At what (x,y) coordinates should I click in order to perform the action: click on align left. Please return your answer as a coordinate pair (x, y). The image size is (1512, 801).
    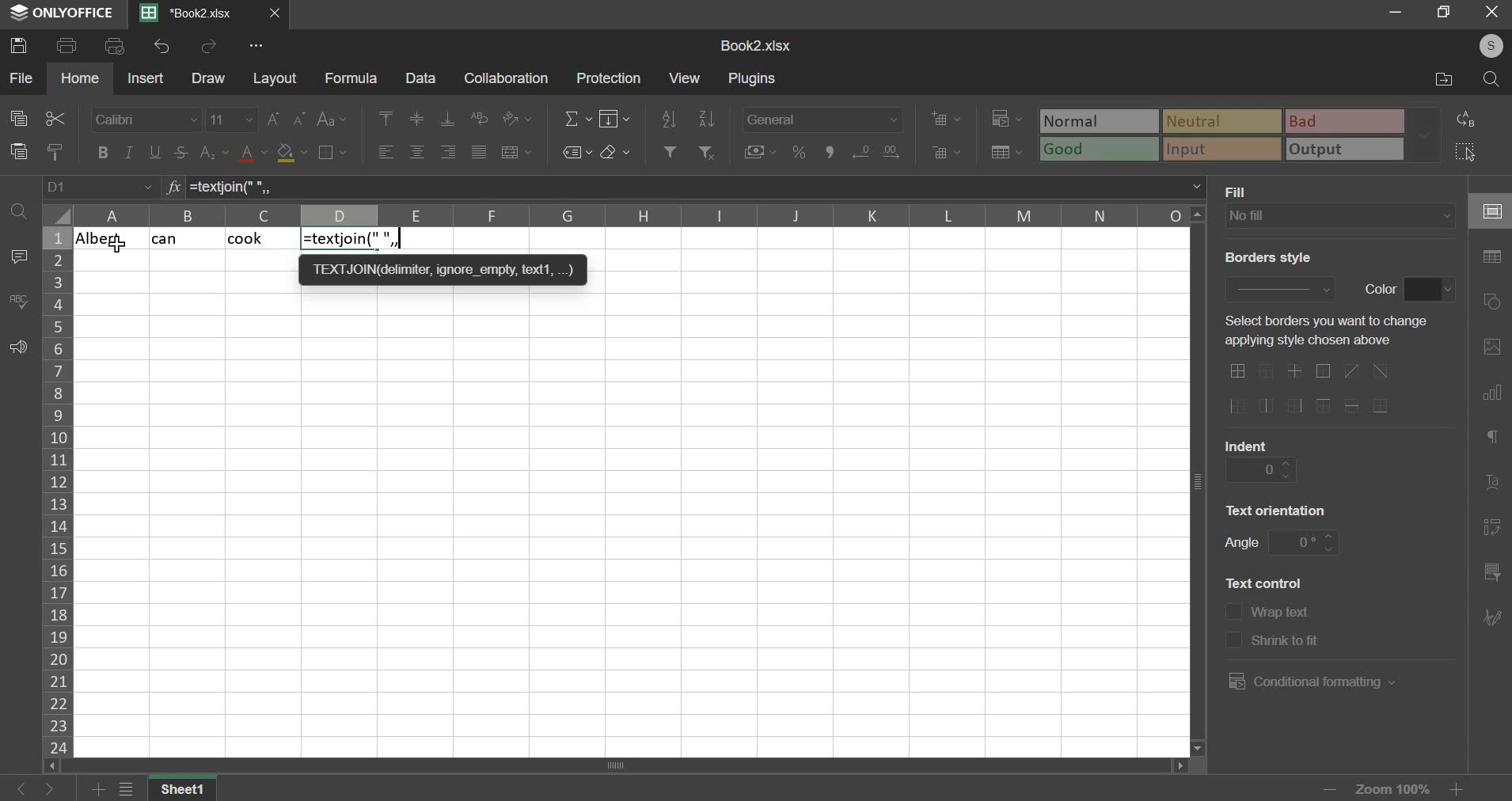
    Looking at the image, I should click on (386, 153).